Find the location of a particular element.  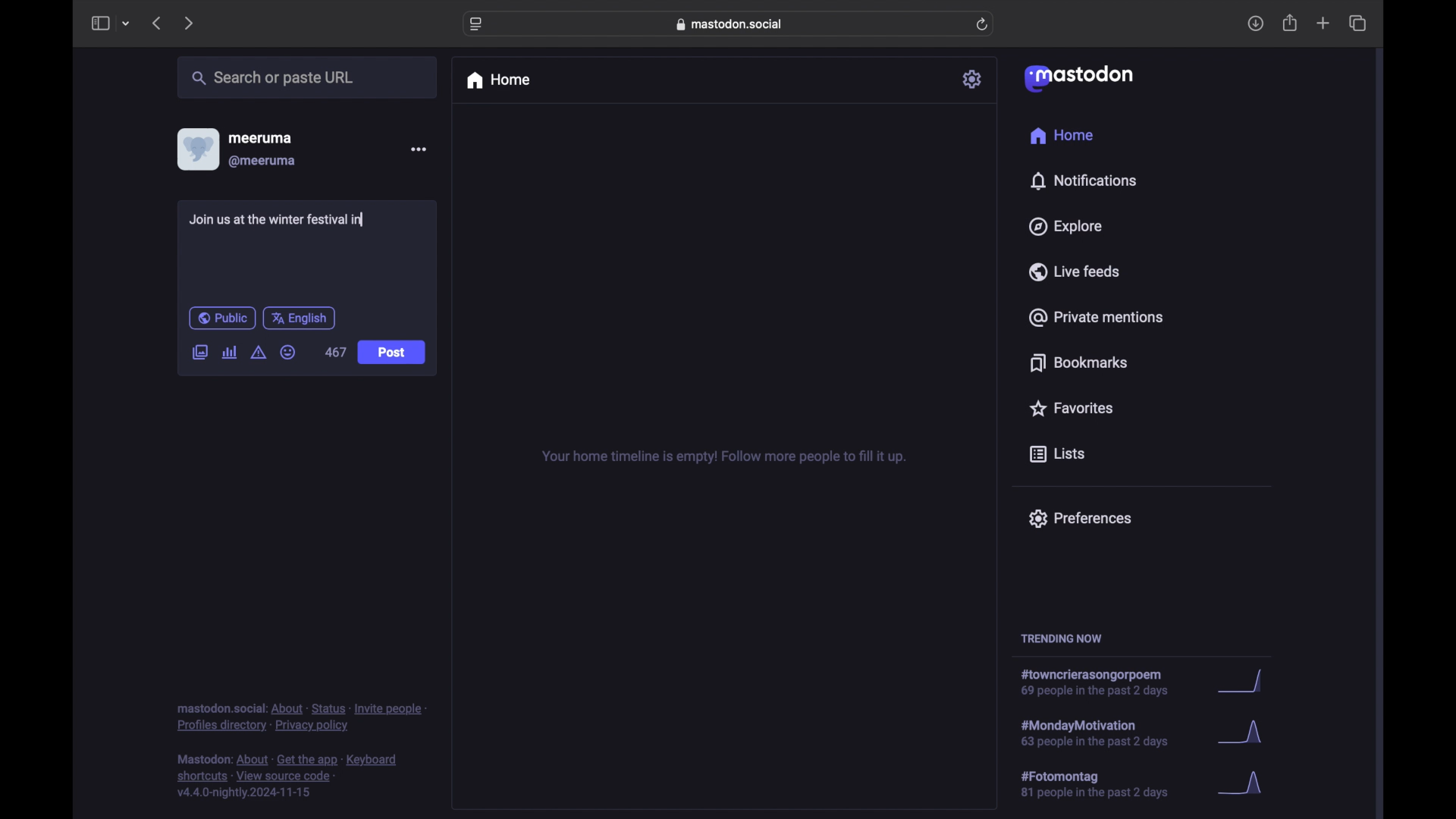

hashtag trend is located at coordinates (1103, 683).